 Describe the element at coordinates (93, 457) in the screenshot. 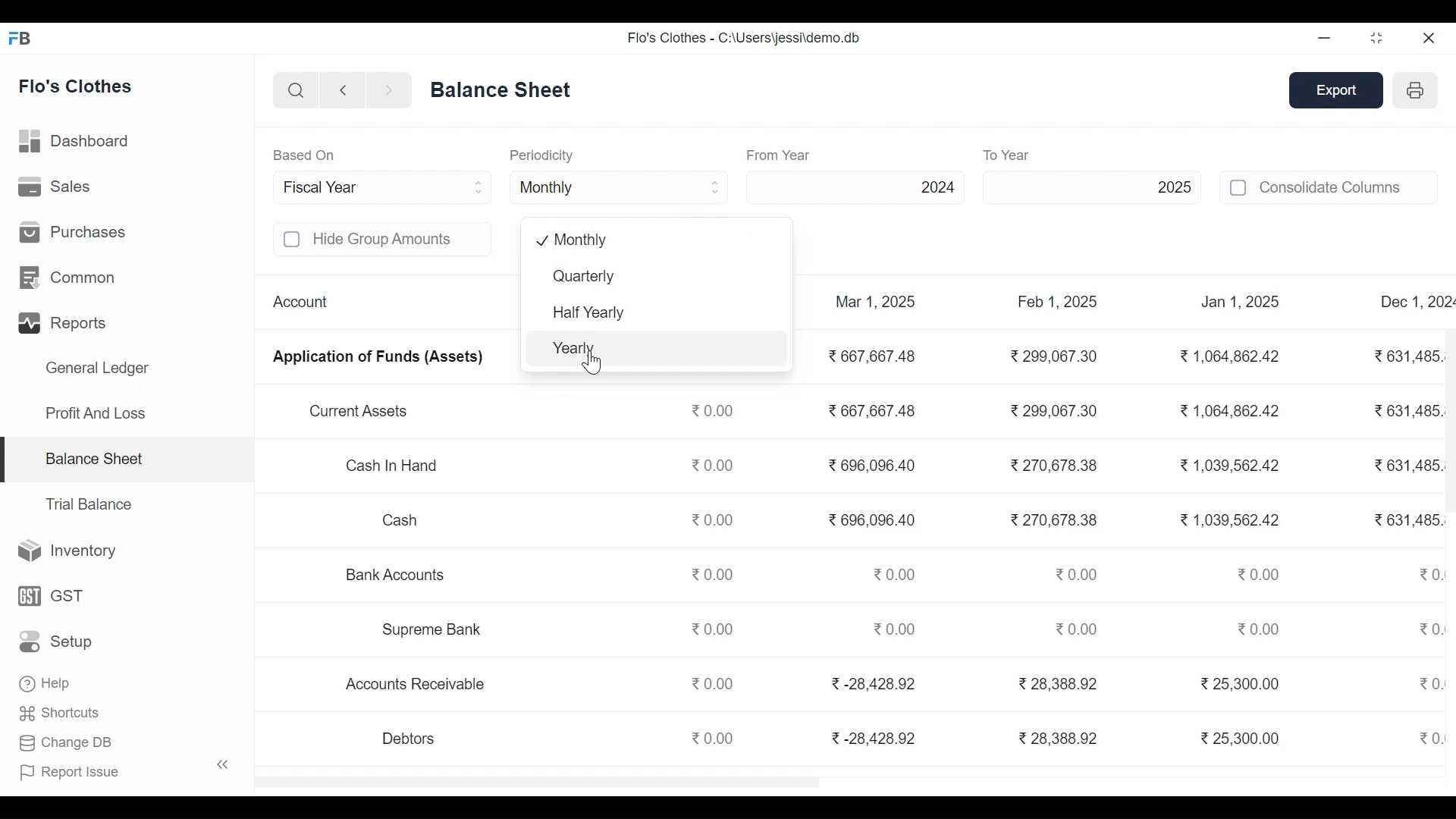

I see `Balance Sheet` at that location.